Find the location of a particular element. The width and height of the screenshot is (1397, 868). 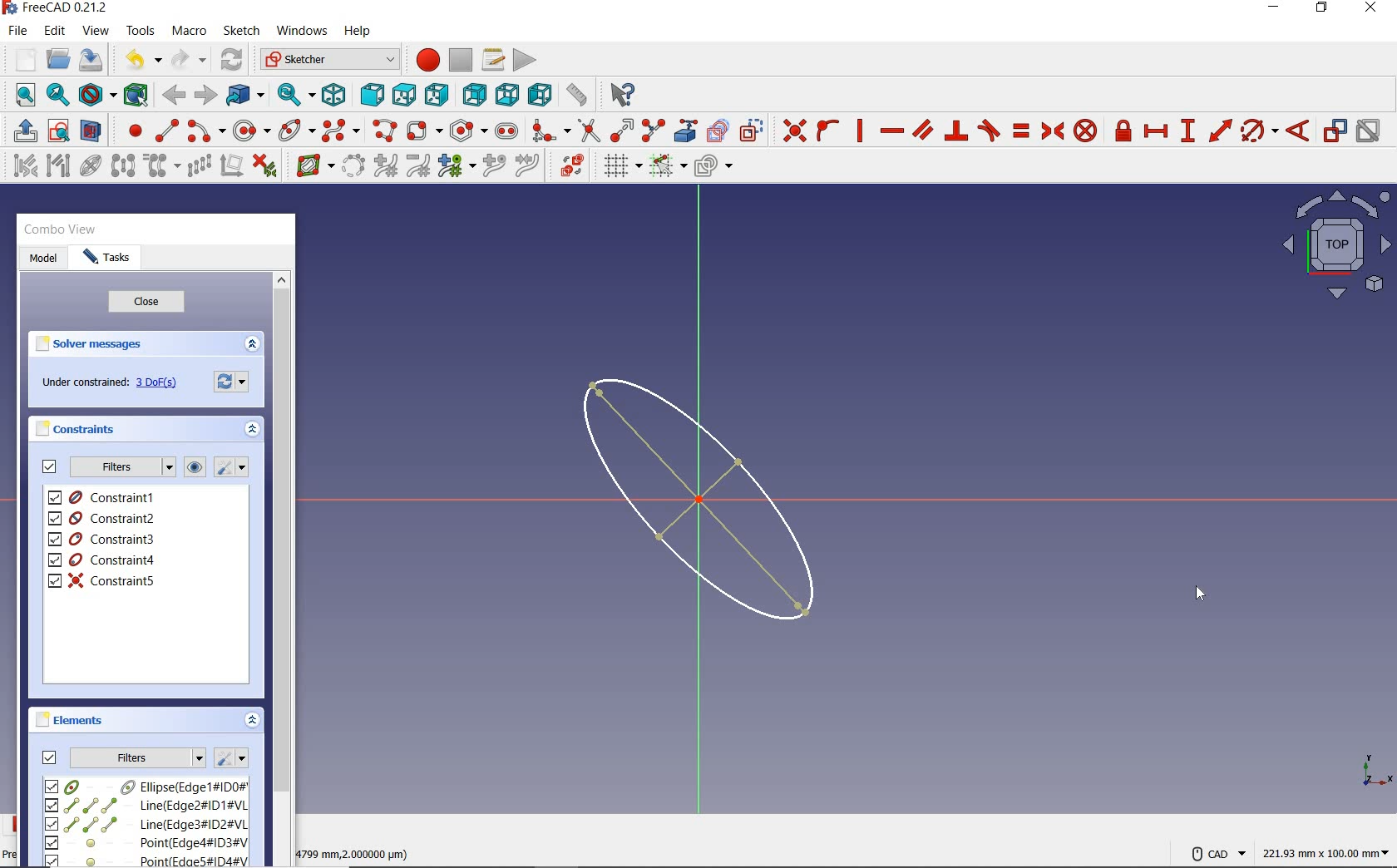

create carbon copy is located at coordinates (718, 129).